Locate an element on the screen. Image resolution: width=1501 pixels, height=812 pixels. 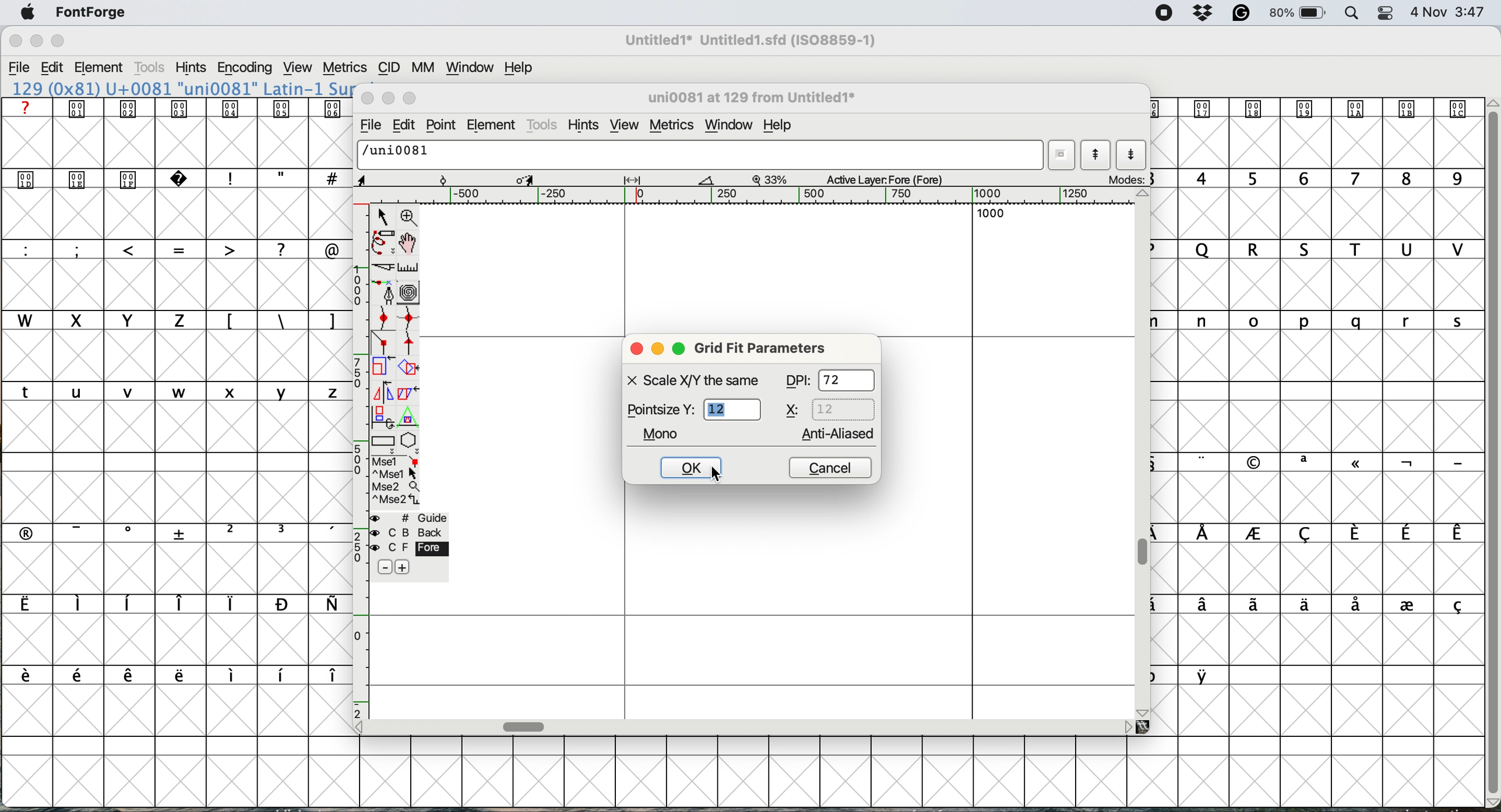
selections is located at coordinates (398, 482).